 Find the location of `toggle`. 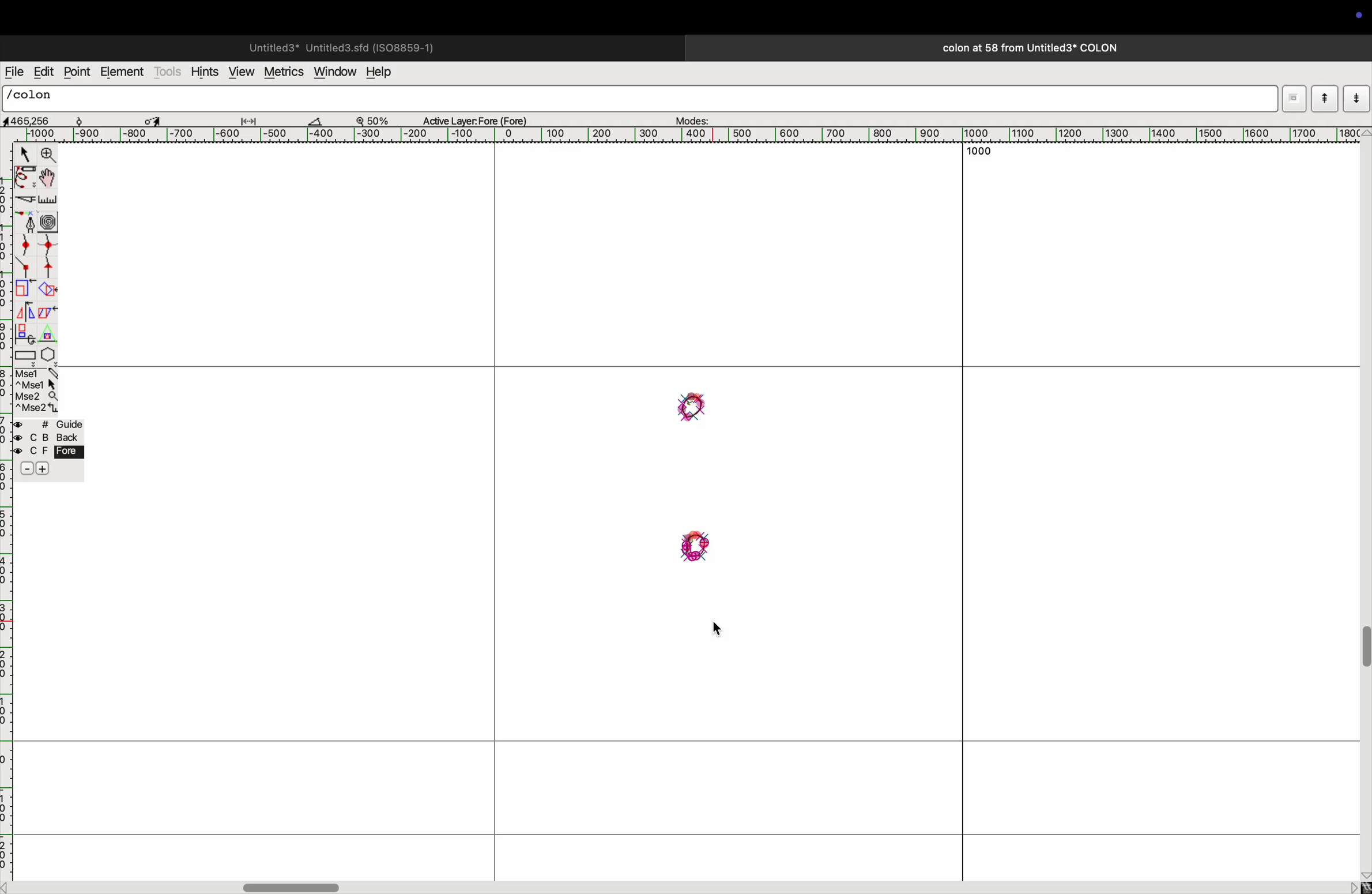

toggle is located at coordinates (295, 885).